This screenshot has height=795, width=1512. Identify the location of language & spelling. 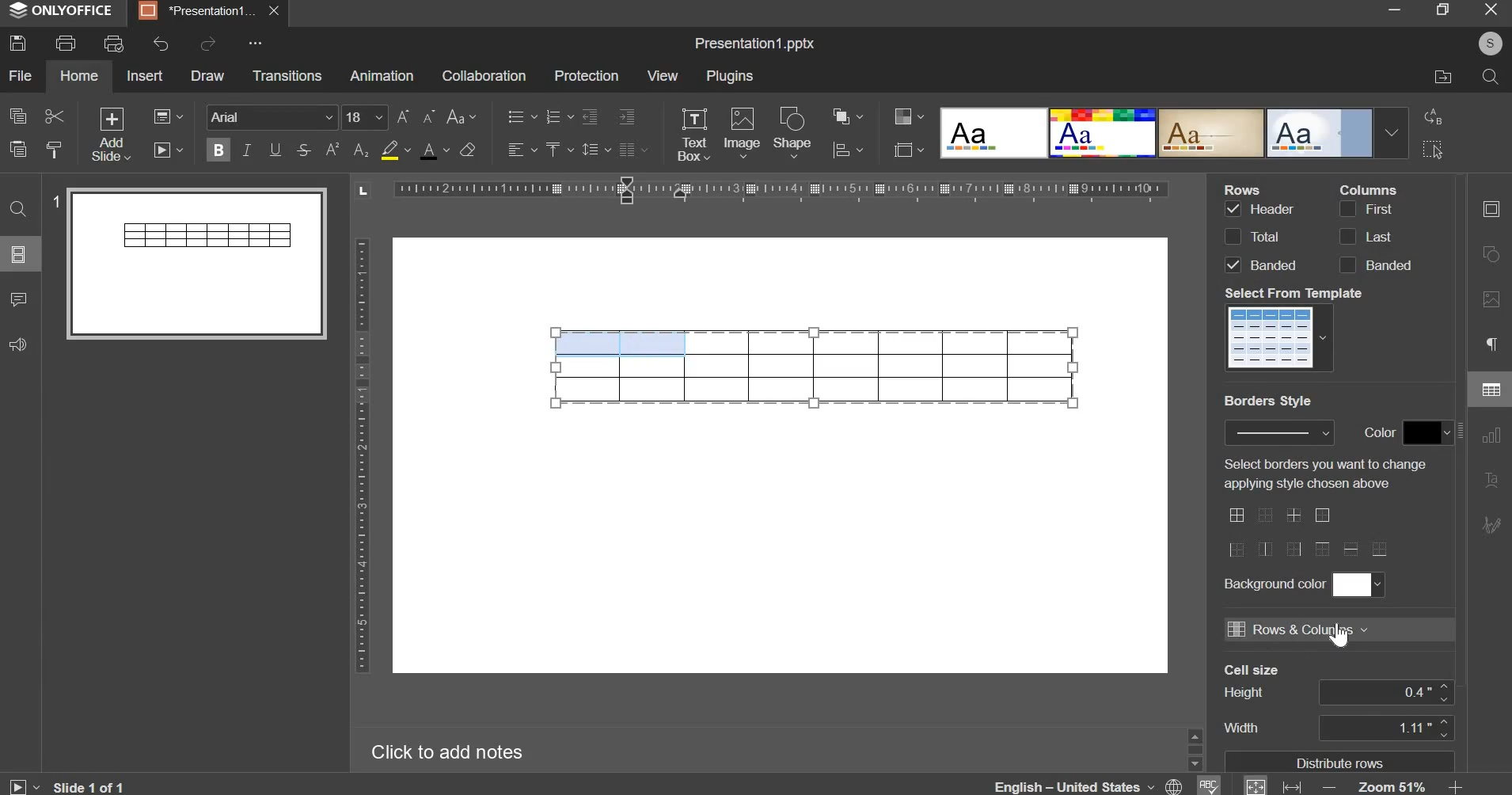
(1107, 784).